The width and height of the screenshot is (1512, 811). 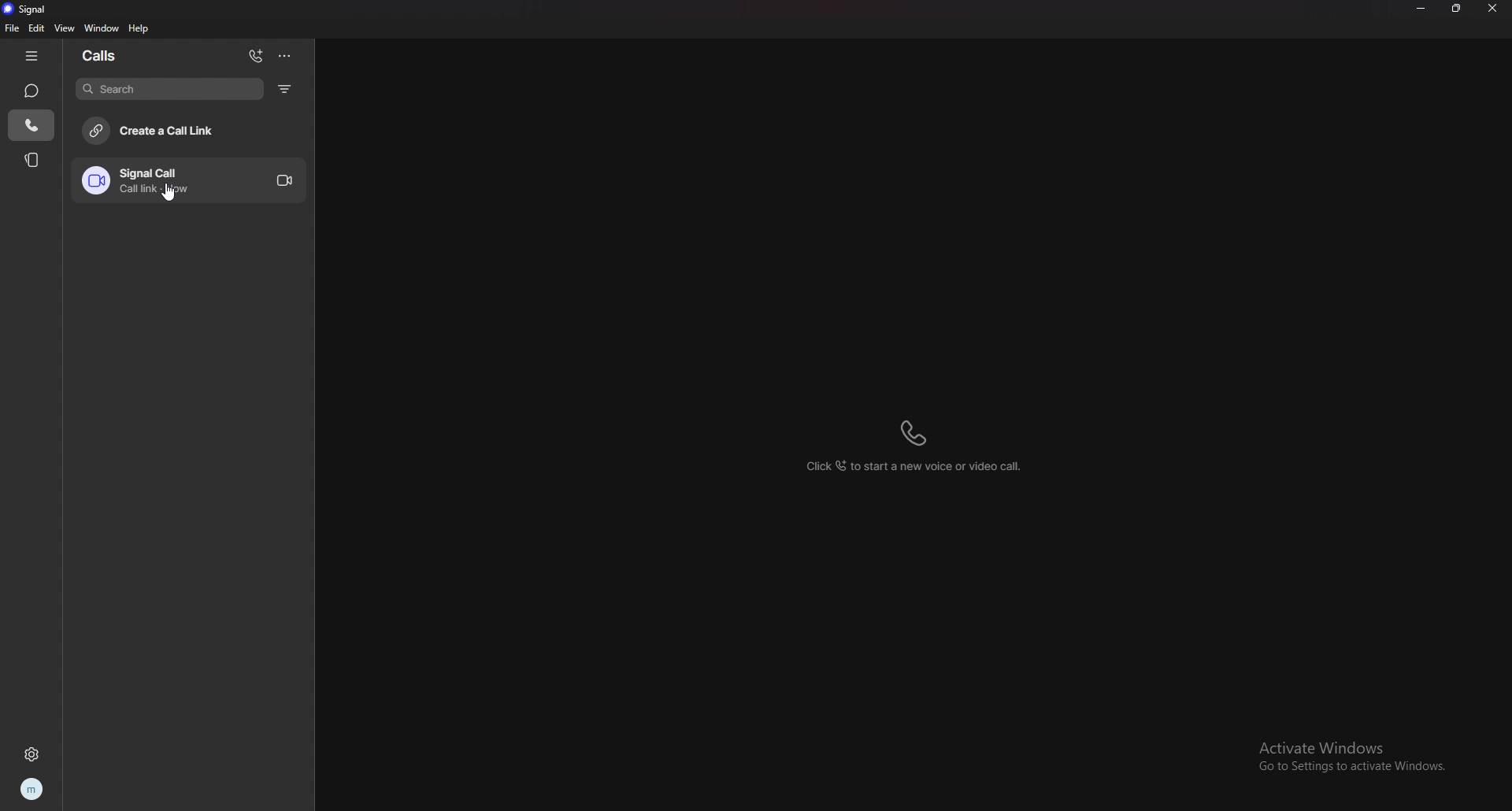 I want to click on signal, so click(x=39, y=9).